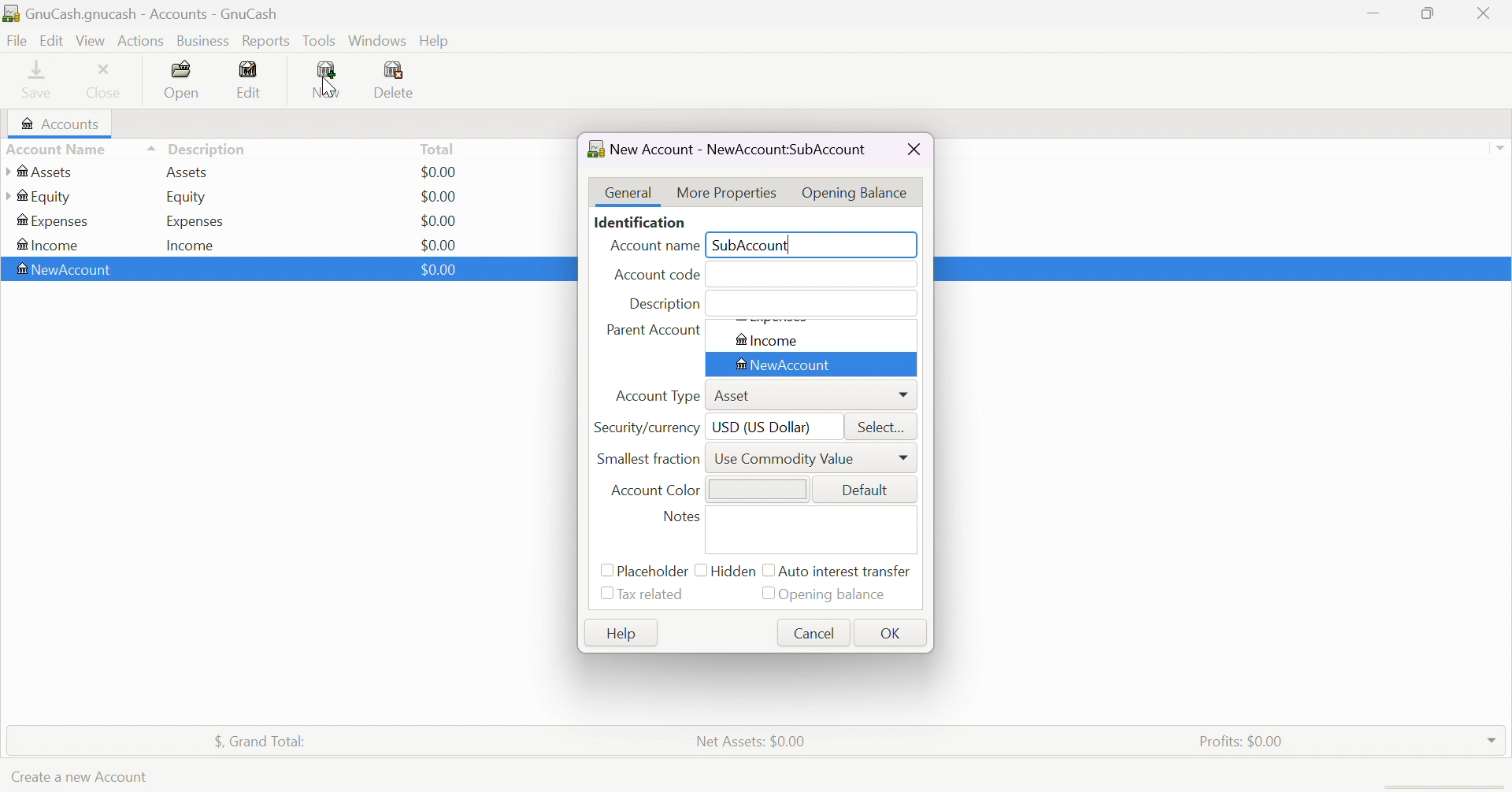 The image size is (1512, 792). What do you see at coordinates (1503, 148) in the screenshot?
I see `drop down` at bounding box center [1503, 148].